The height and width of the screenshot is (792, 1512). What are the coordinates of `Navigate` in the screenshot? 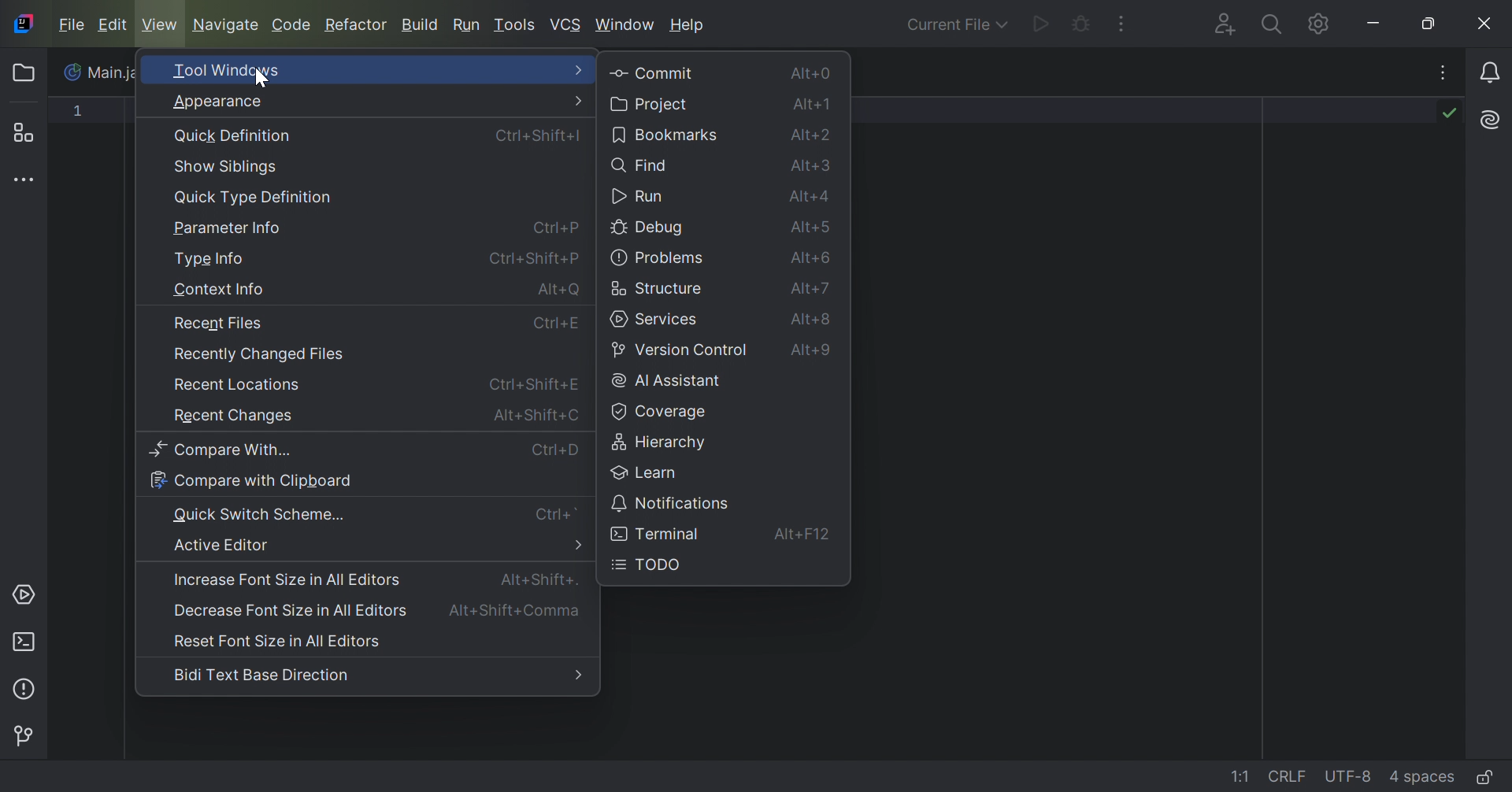 It's located at (226, 24).